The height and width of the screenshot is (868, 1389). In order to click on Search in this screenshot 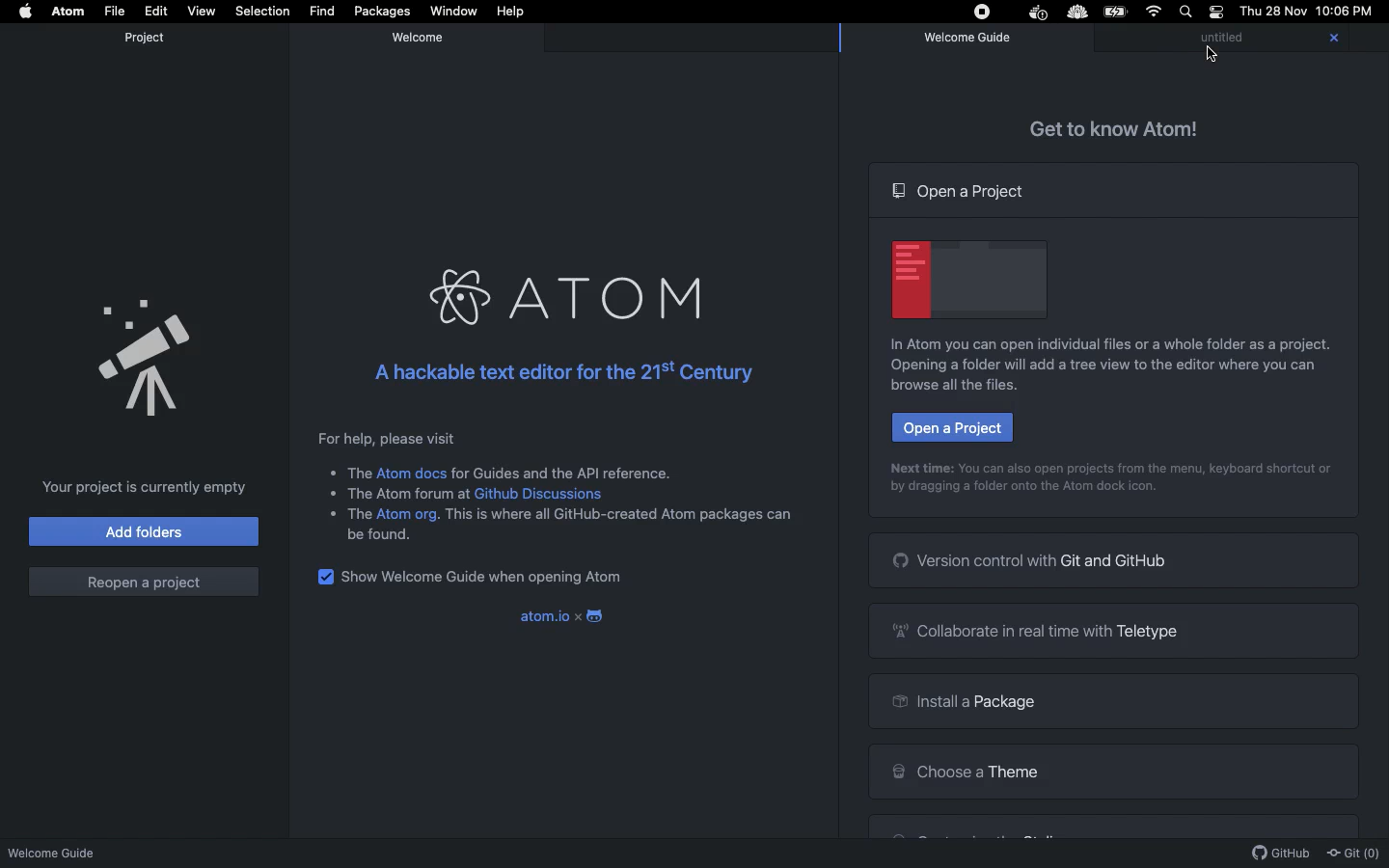, I will do `click(1184, 12)`.